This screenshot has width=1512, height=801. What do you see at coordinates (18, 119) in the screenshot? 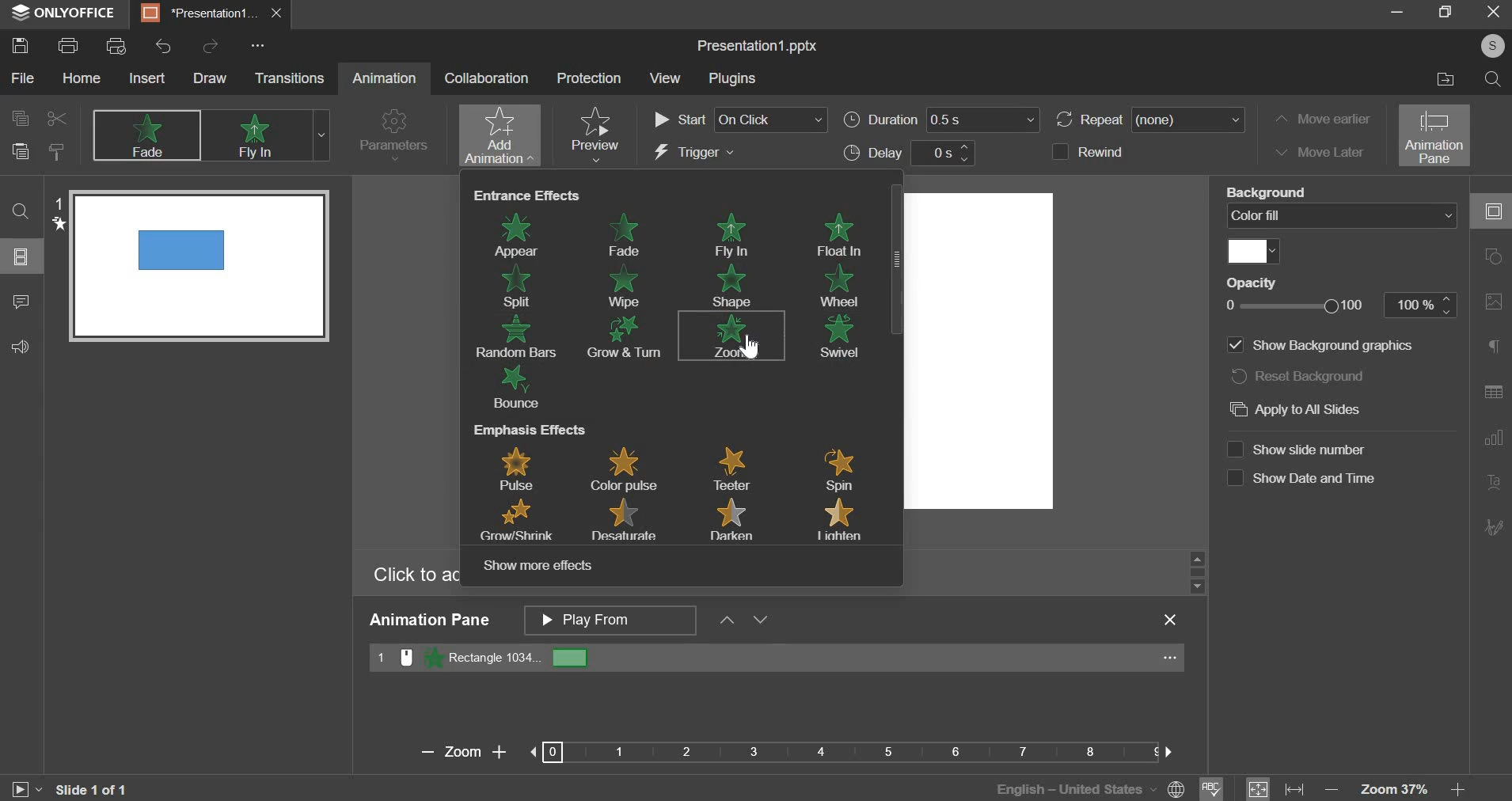
I see `copy` at bounding box center [18, 119].